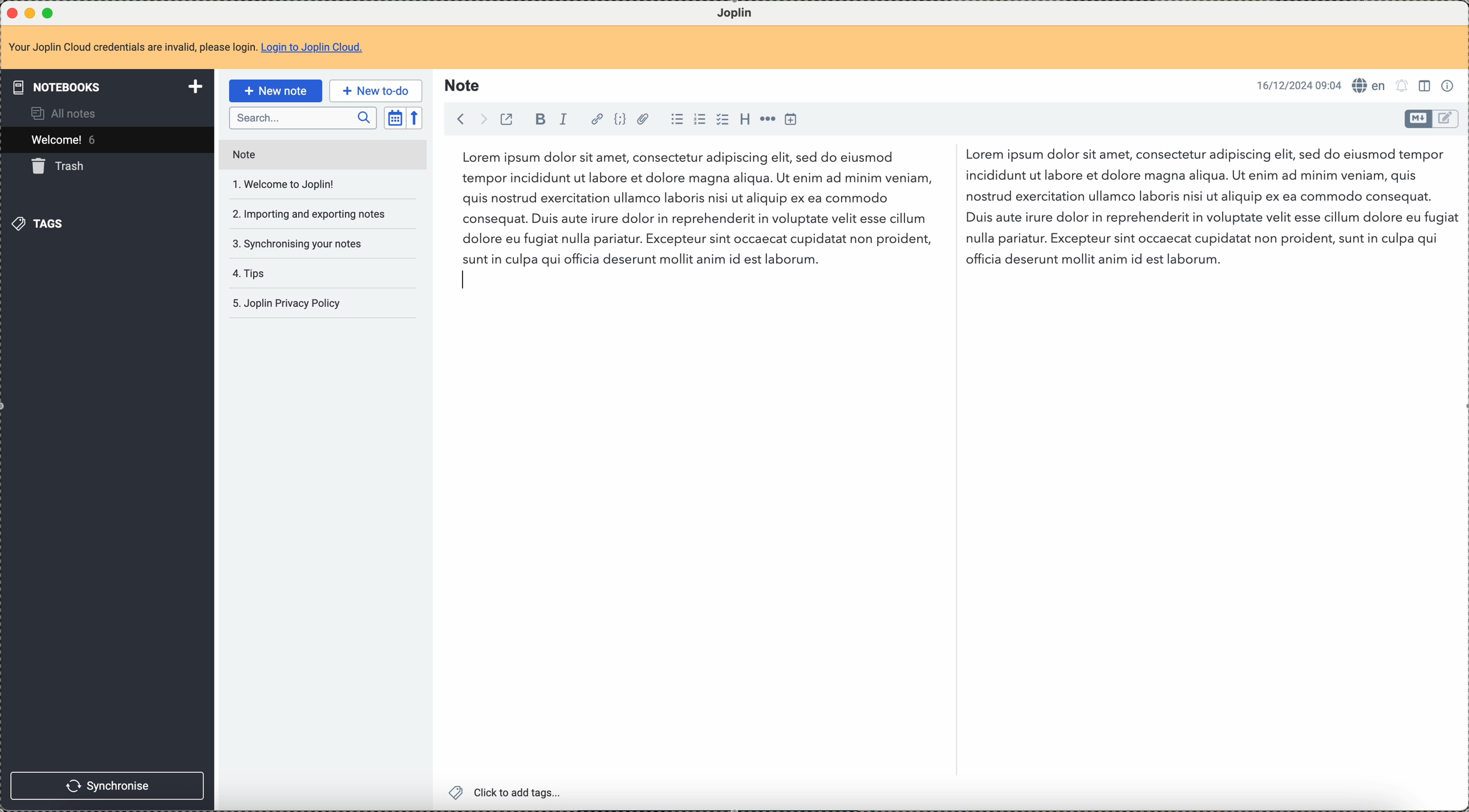  What do you see at coordinates (62, 168) in the screenshot?
I see `trash` at bounding box center [62, 168].